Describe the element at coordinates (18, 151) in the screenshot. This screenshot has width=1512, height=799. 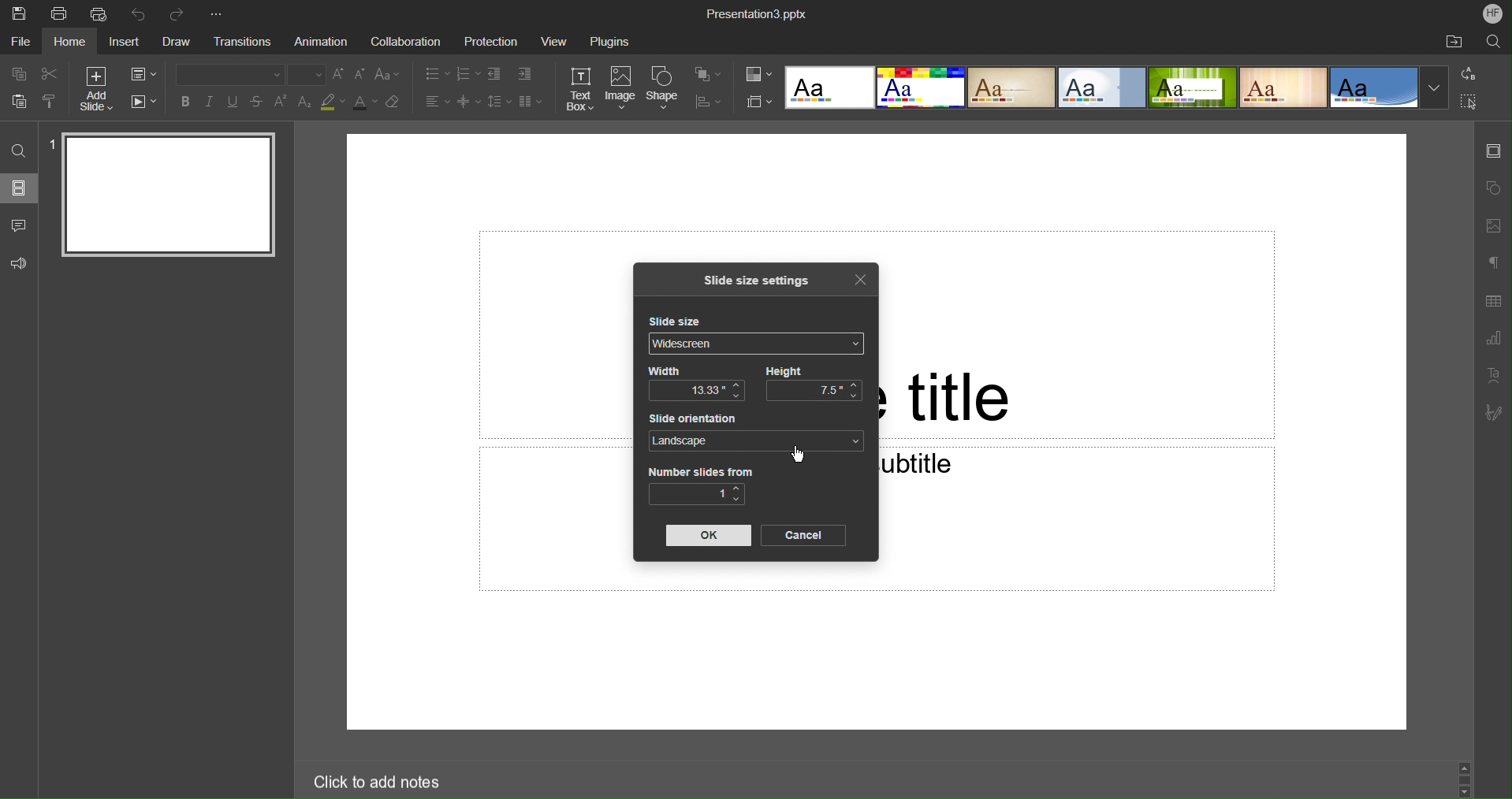
I see `Find` at that location.